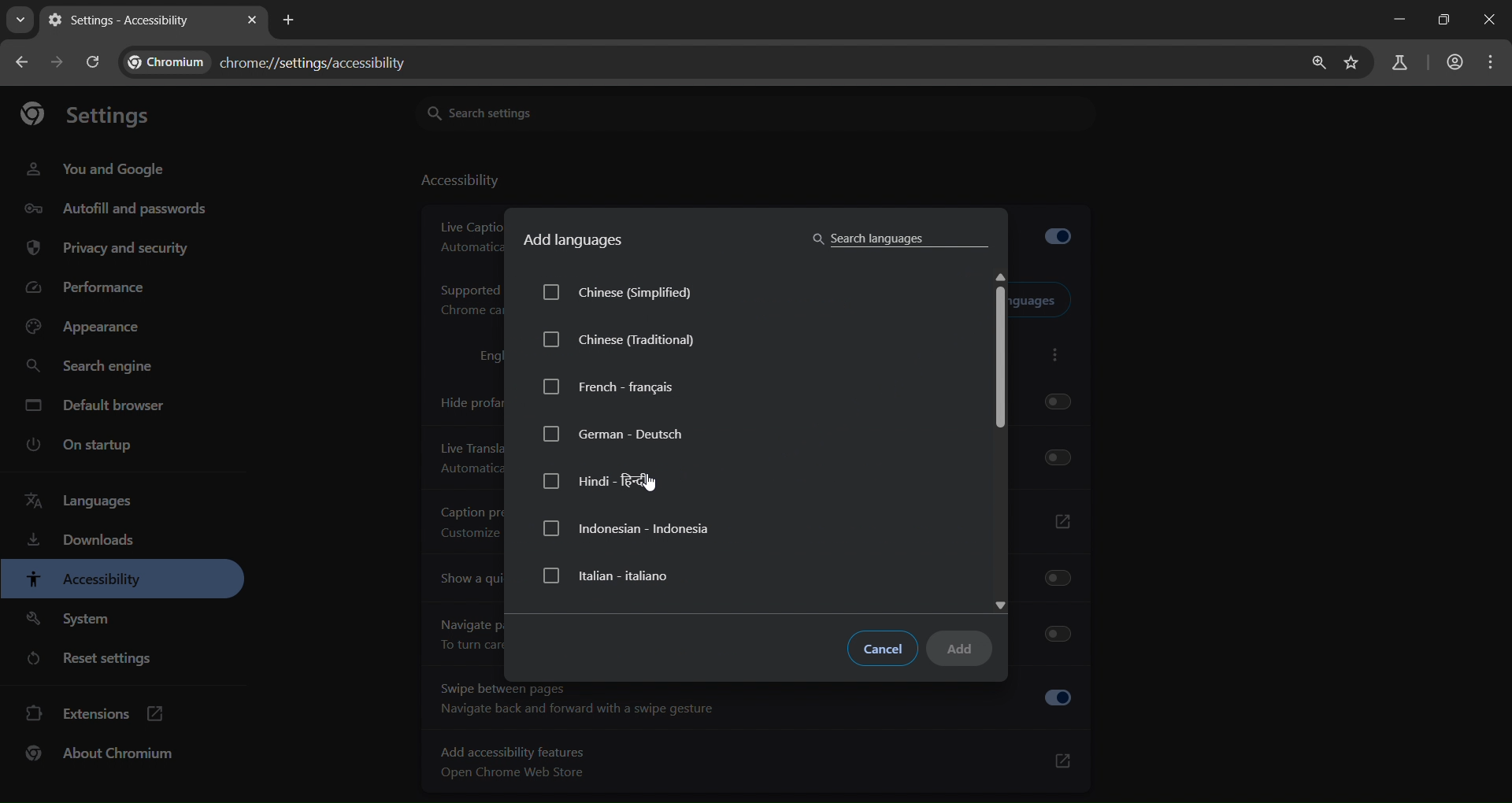  Describe the element at coordinates (91, 285) in the screenshot. I see `performance` at that location.